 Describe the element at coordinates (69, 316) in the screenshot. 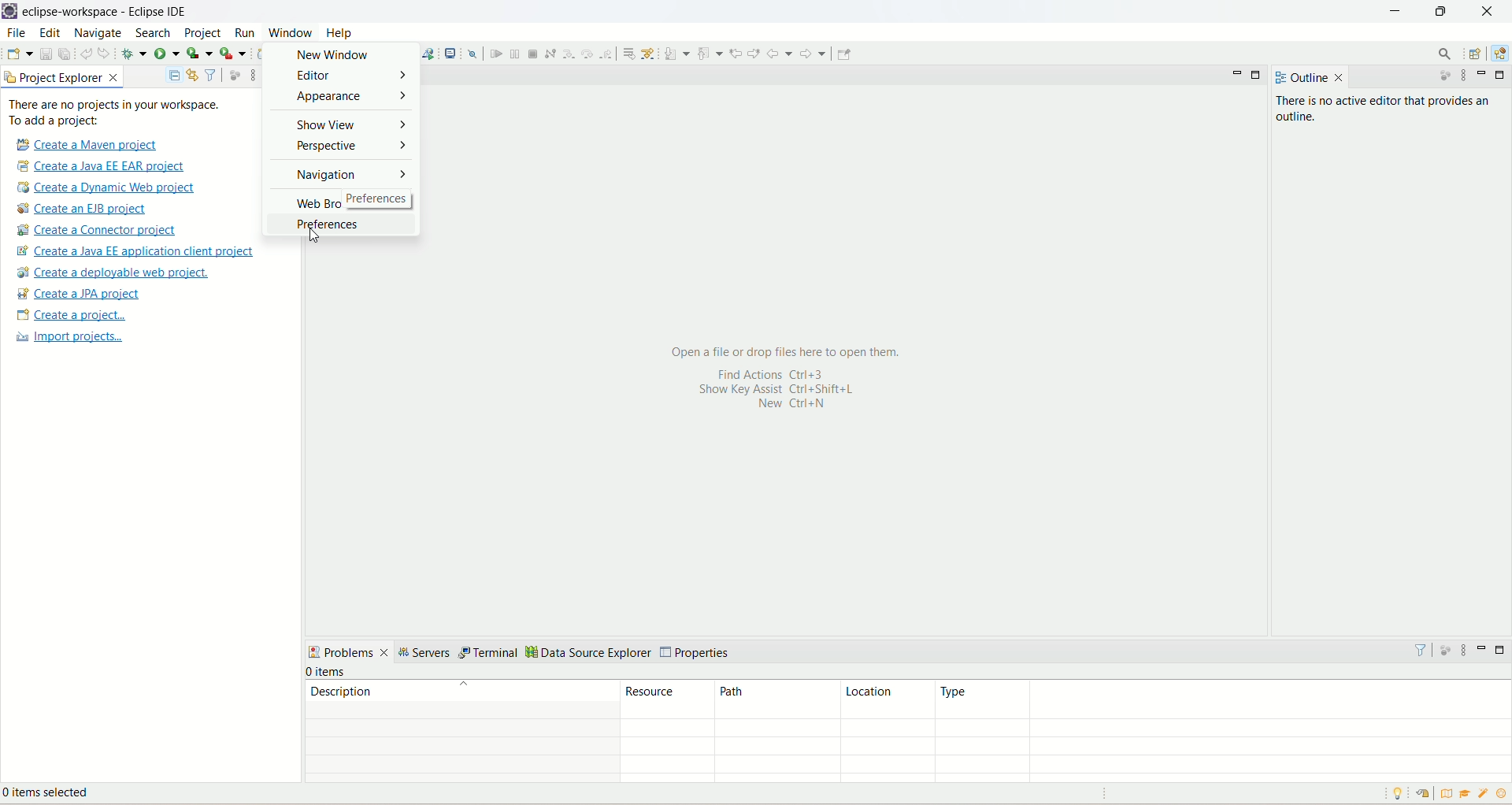

I see `create a project` at that location.